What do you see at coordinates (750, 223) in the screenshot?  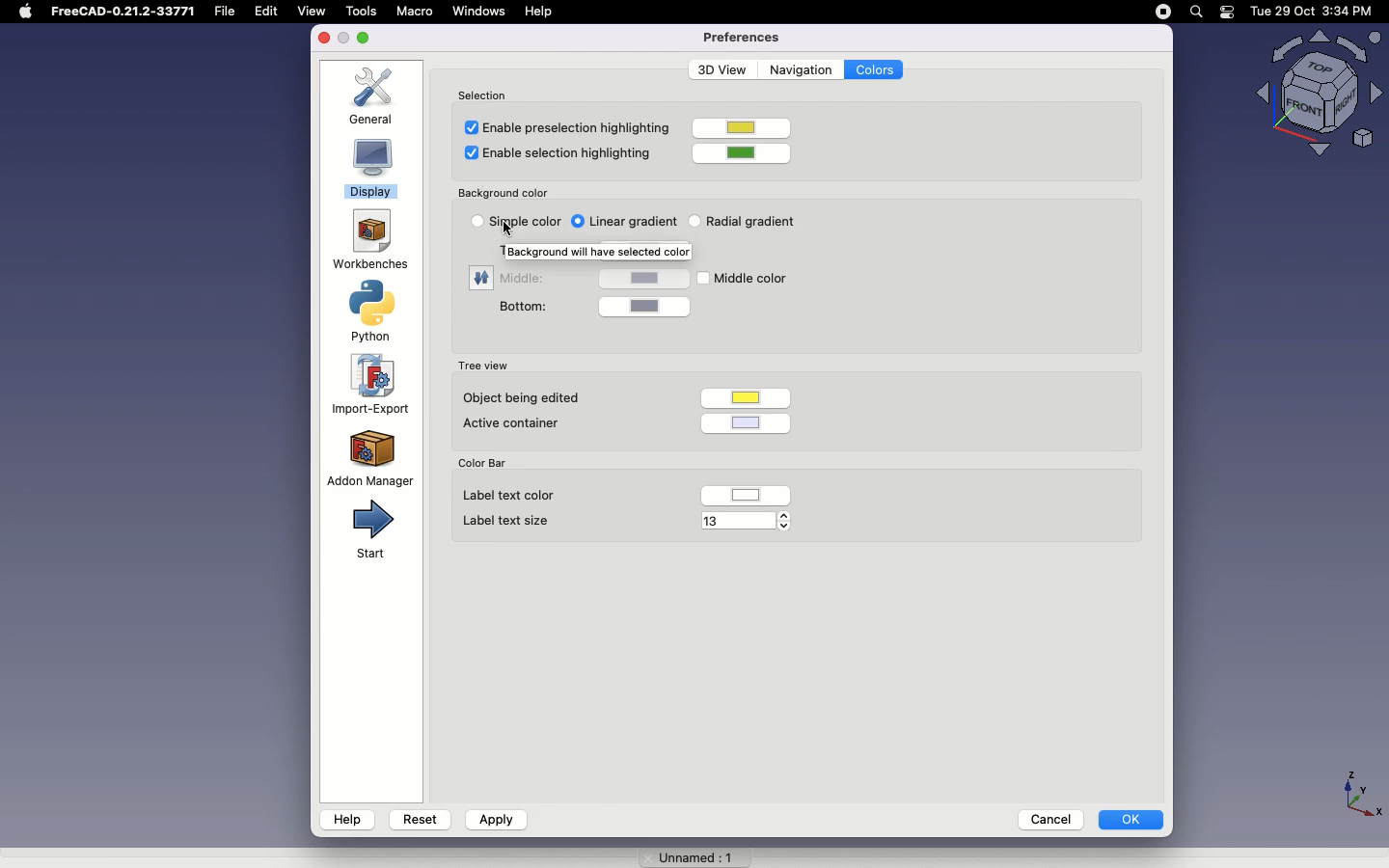 I see `Radial gradient` at bounding box center [750, 223].